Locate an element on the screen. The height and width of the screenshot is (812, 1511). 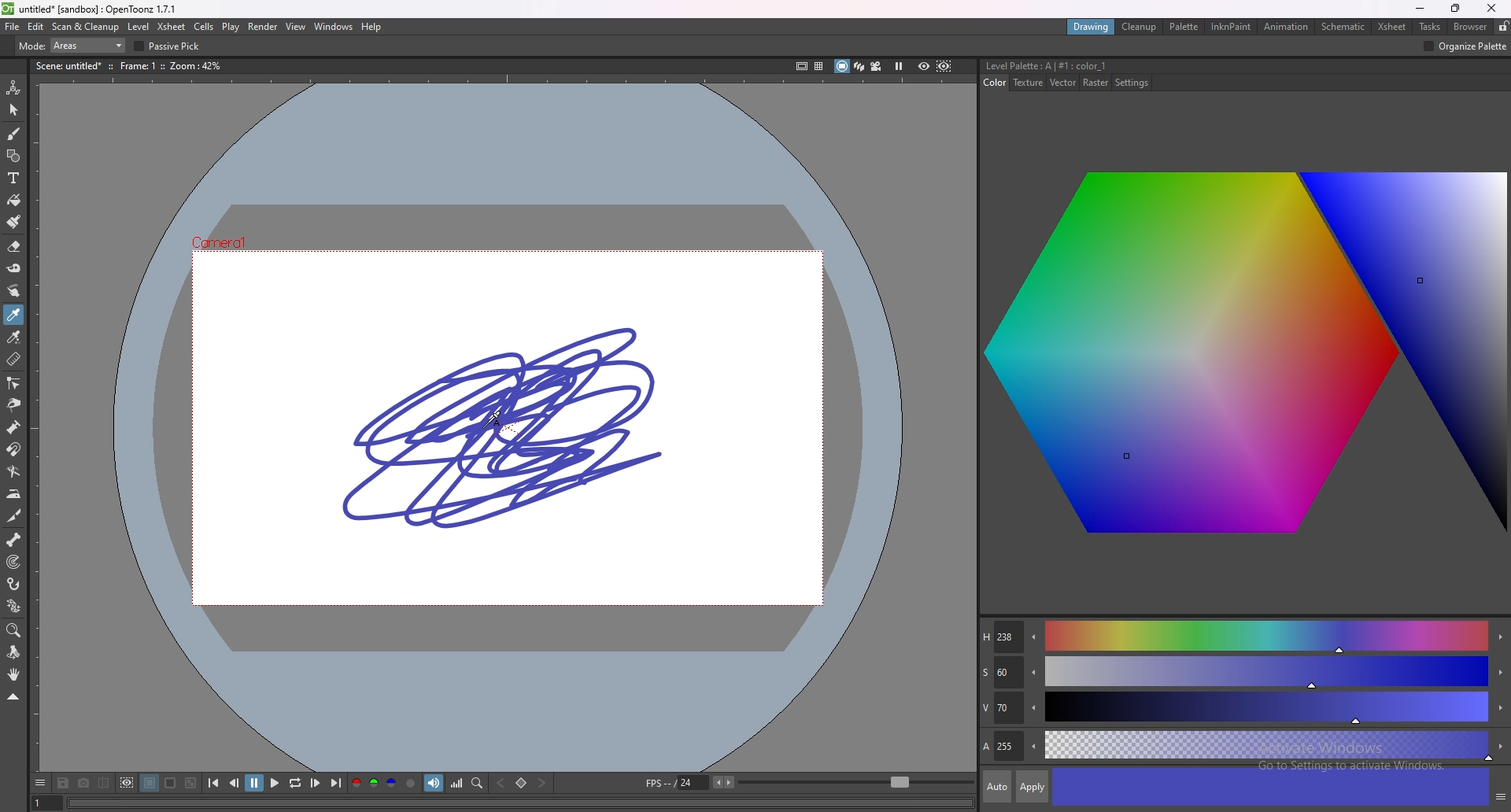
bender tool is located at coordinates (13, 471).